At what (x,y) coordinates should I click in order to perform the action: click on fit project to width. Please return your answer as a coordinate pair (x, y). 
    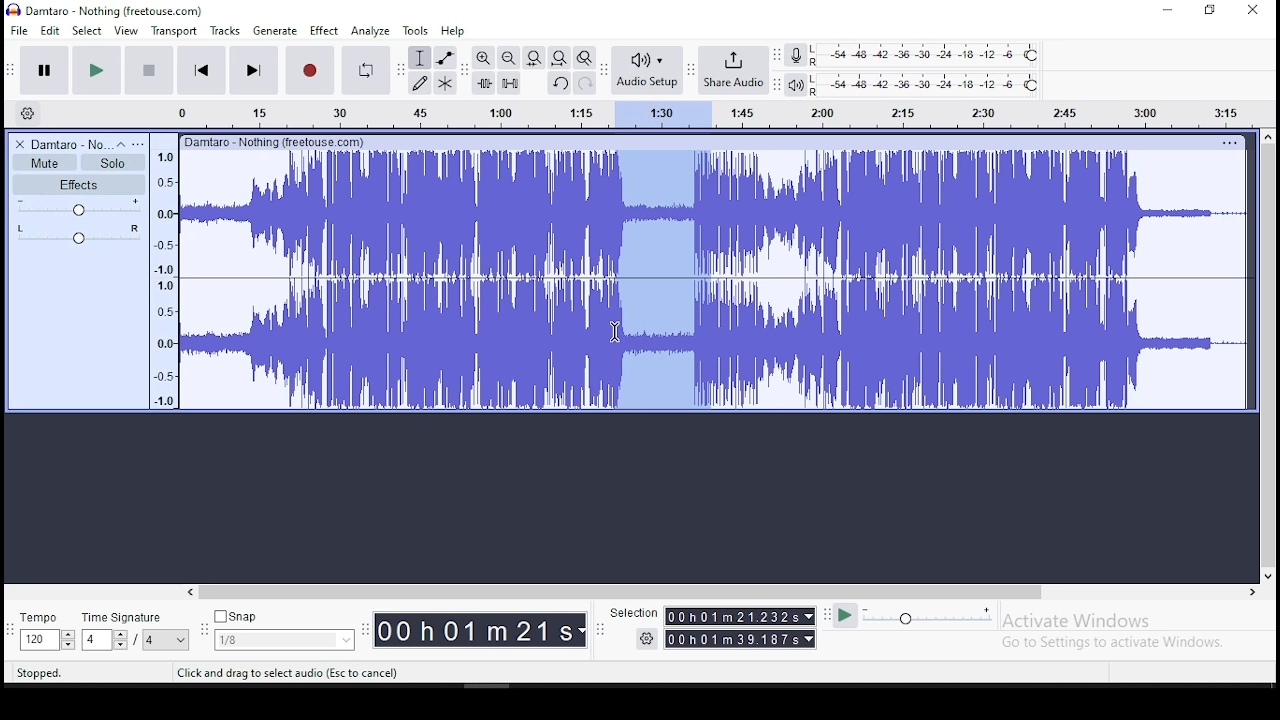
    Looking at the image, I should click on (559, 57).